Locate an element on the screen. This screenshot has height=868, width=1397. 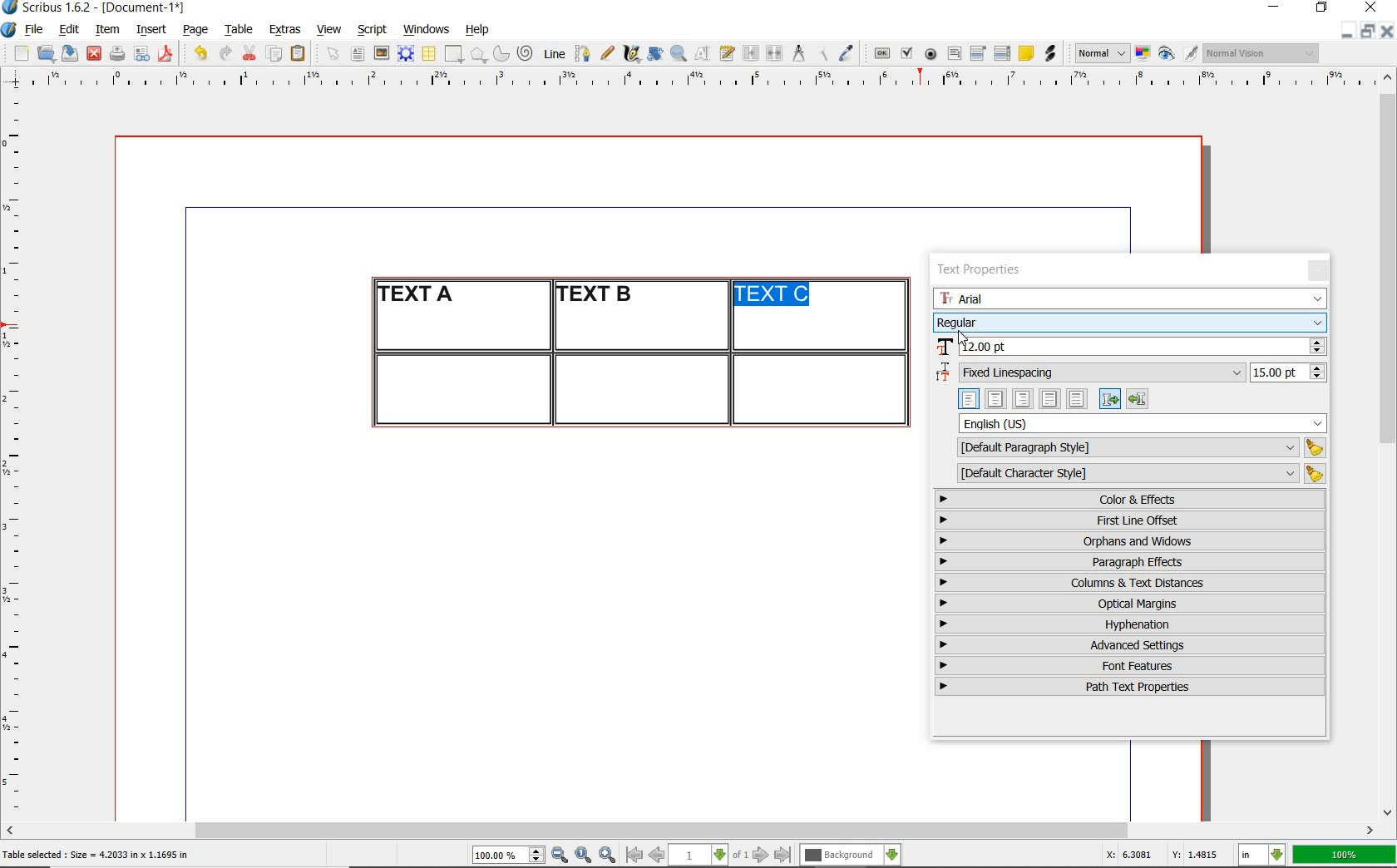
pdf check box is located at coordinates (906, 54).